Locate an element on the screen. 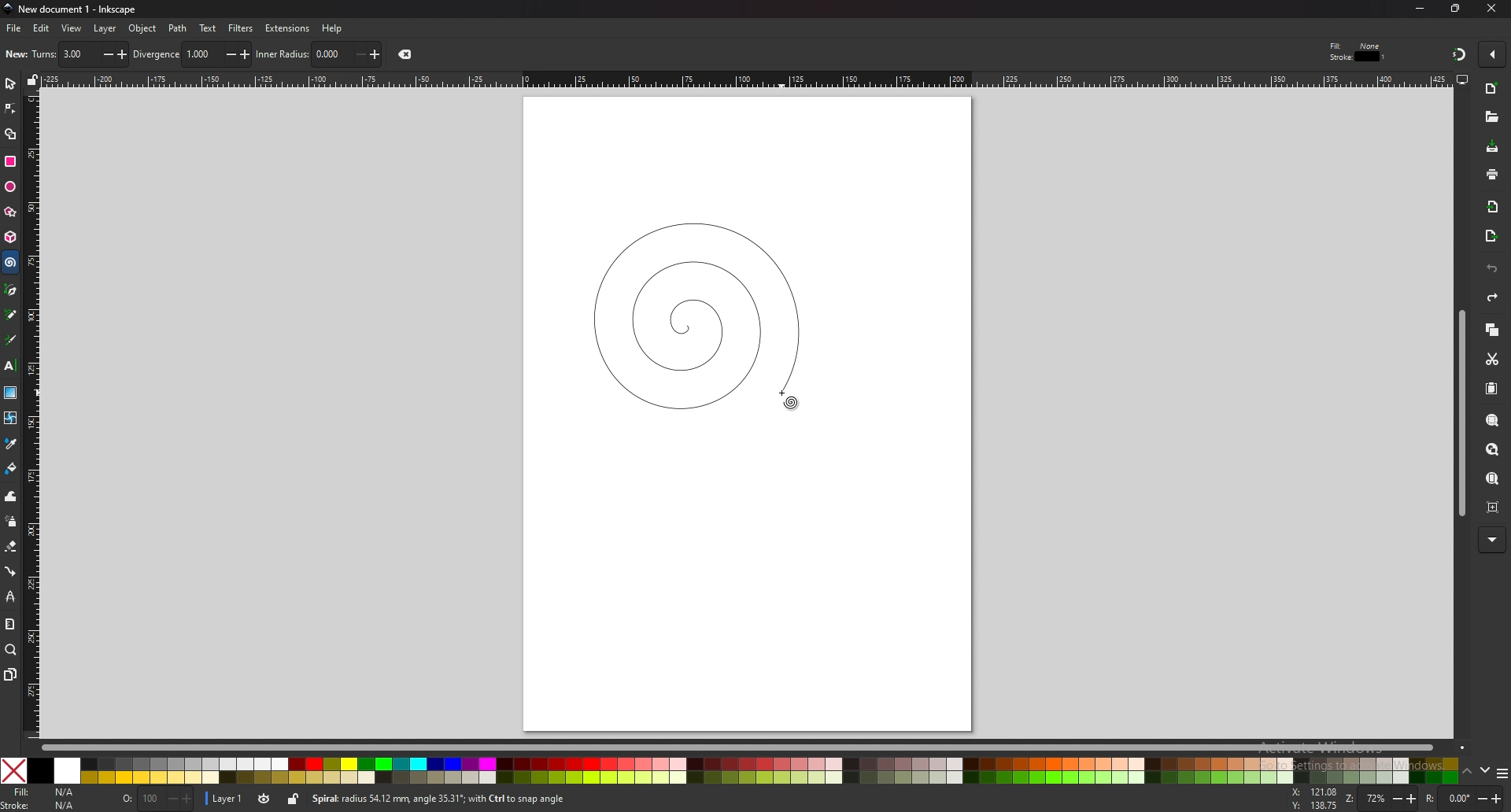 The height and width of the screenshot is (812, 1511). pencil is located at coordinates (13, 314).